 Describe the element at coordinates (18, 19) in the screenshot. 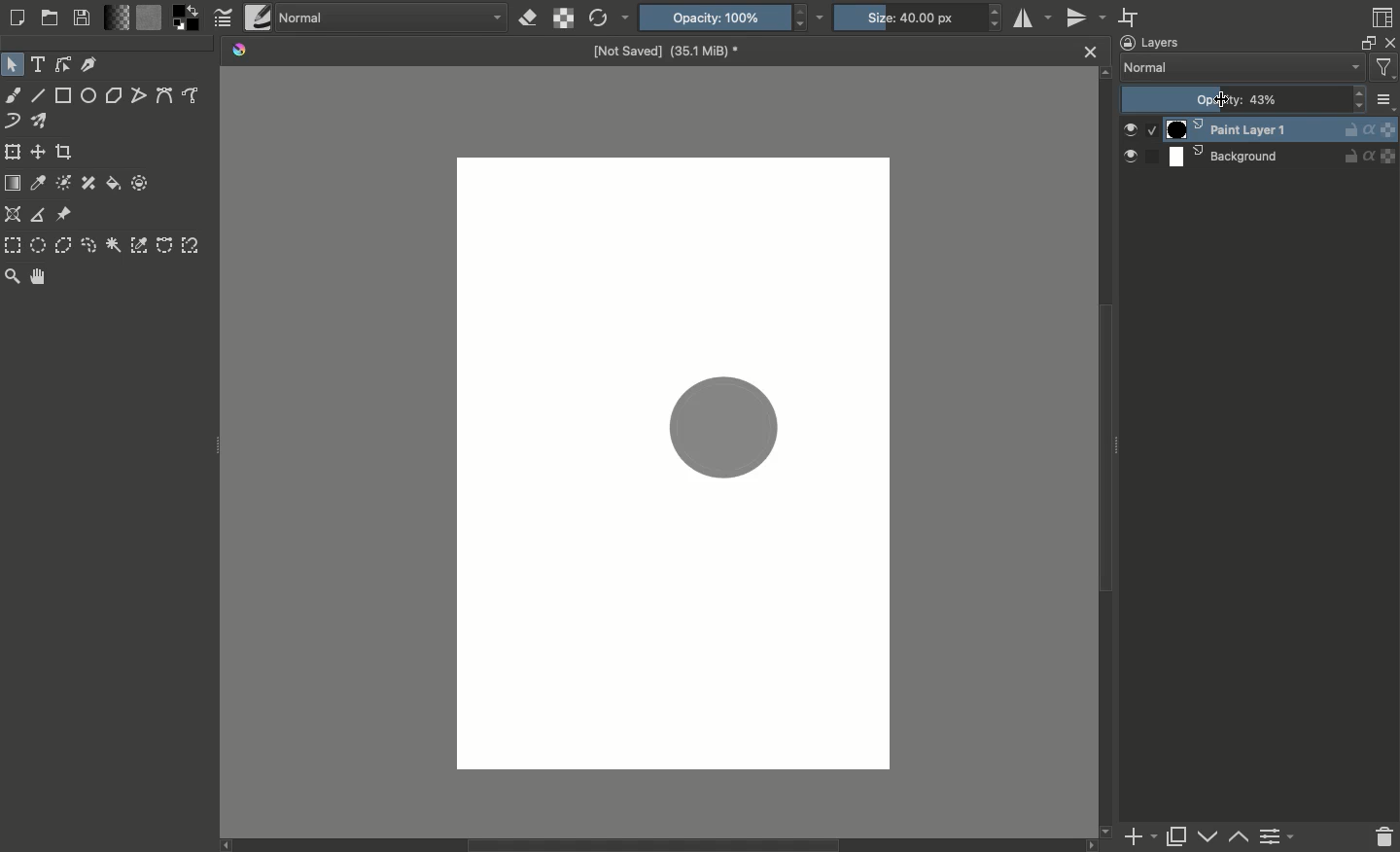

I see `New` at that location.